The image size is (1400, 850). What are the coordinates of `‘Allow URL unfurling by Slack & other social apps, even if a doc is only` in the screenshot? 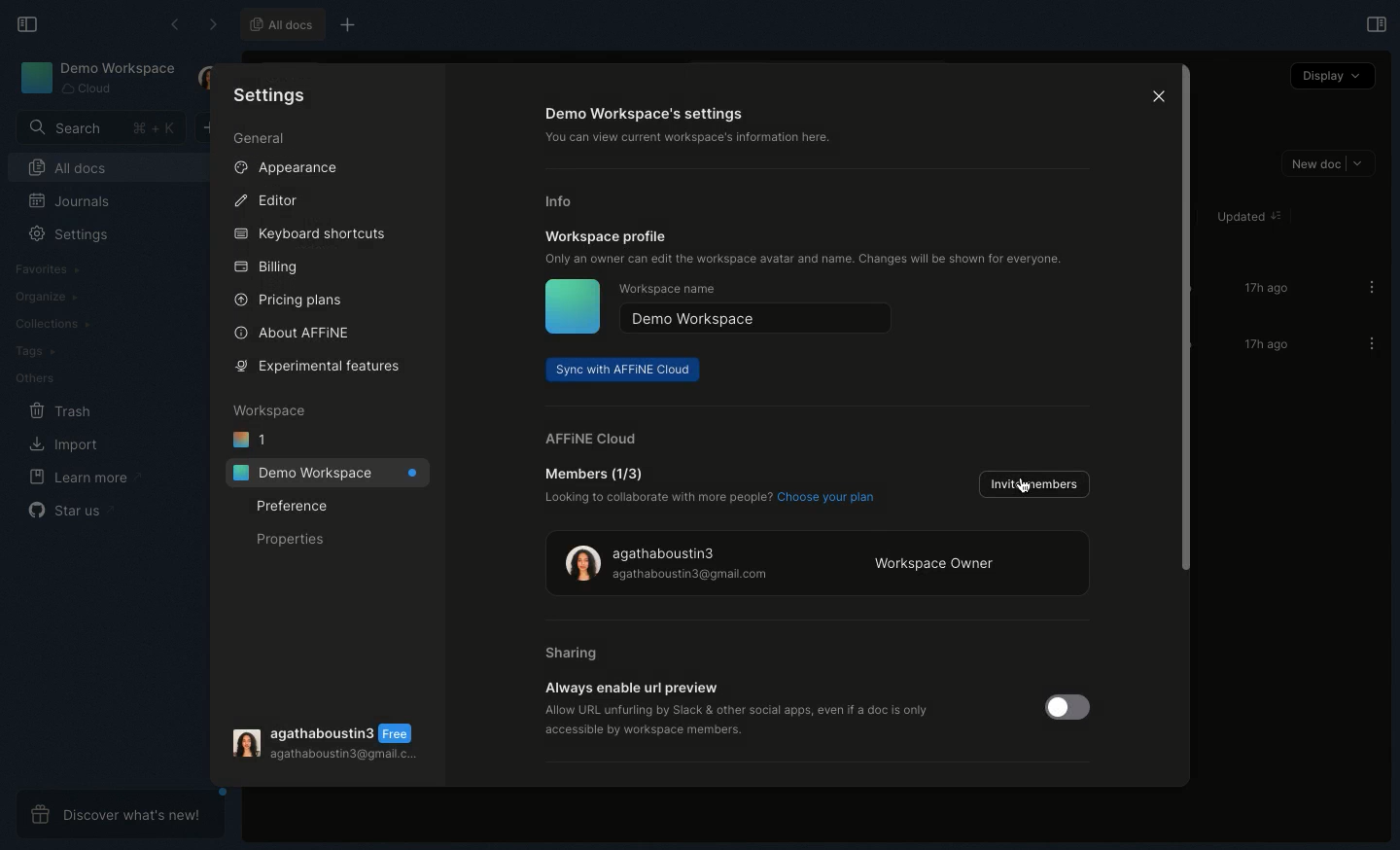 It's located at (738, 709).